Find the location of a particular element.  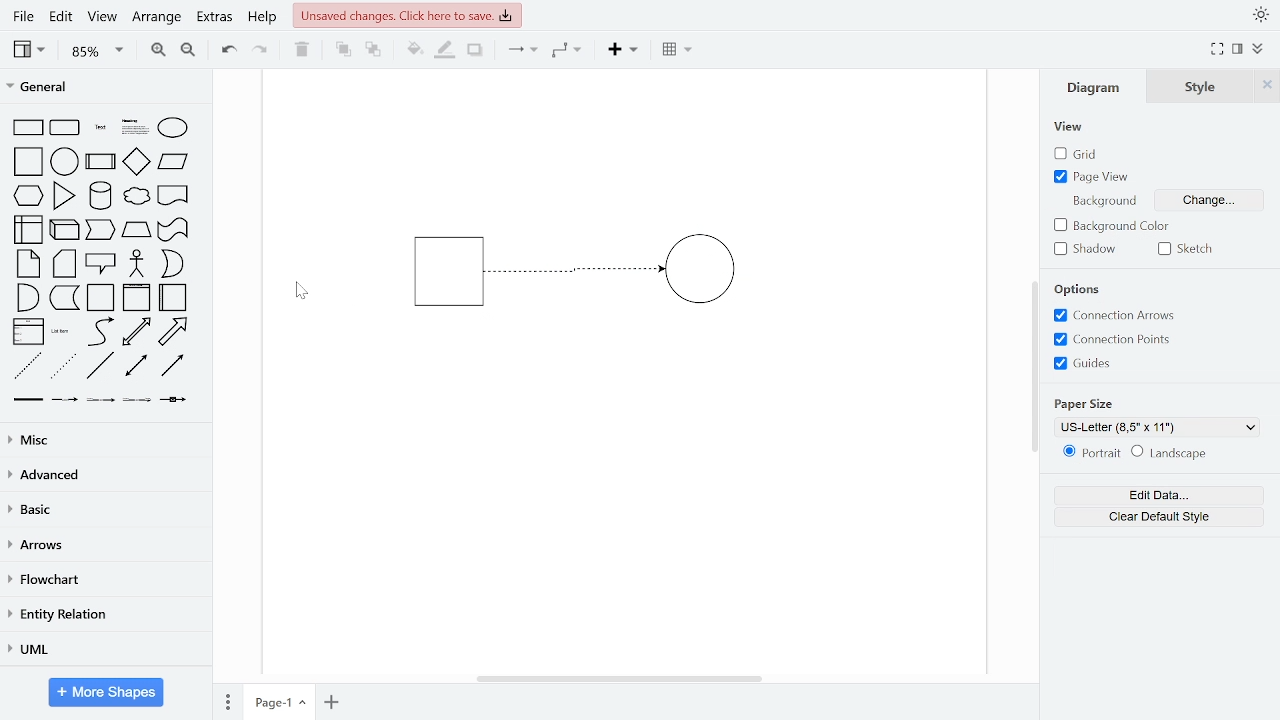

vertical container is located at coordinates (136, 298).